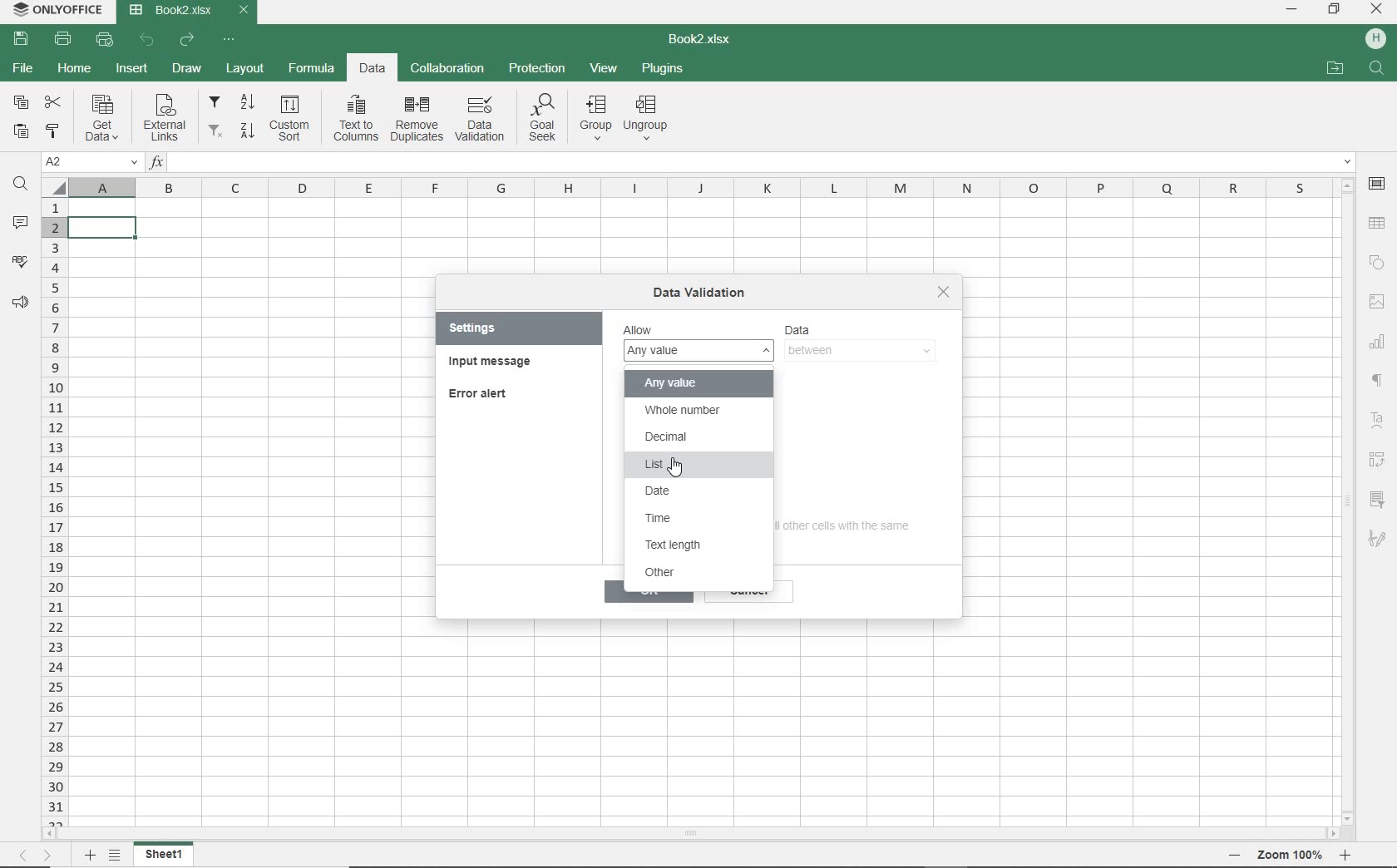 This screenshot has width=1397, height=868. What do you see at coordinates (698, 492) in the screenshot?
I see `date` at bounding box center [698, 492].